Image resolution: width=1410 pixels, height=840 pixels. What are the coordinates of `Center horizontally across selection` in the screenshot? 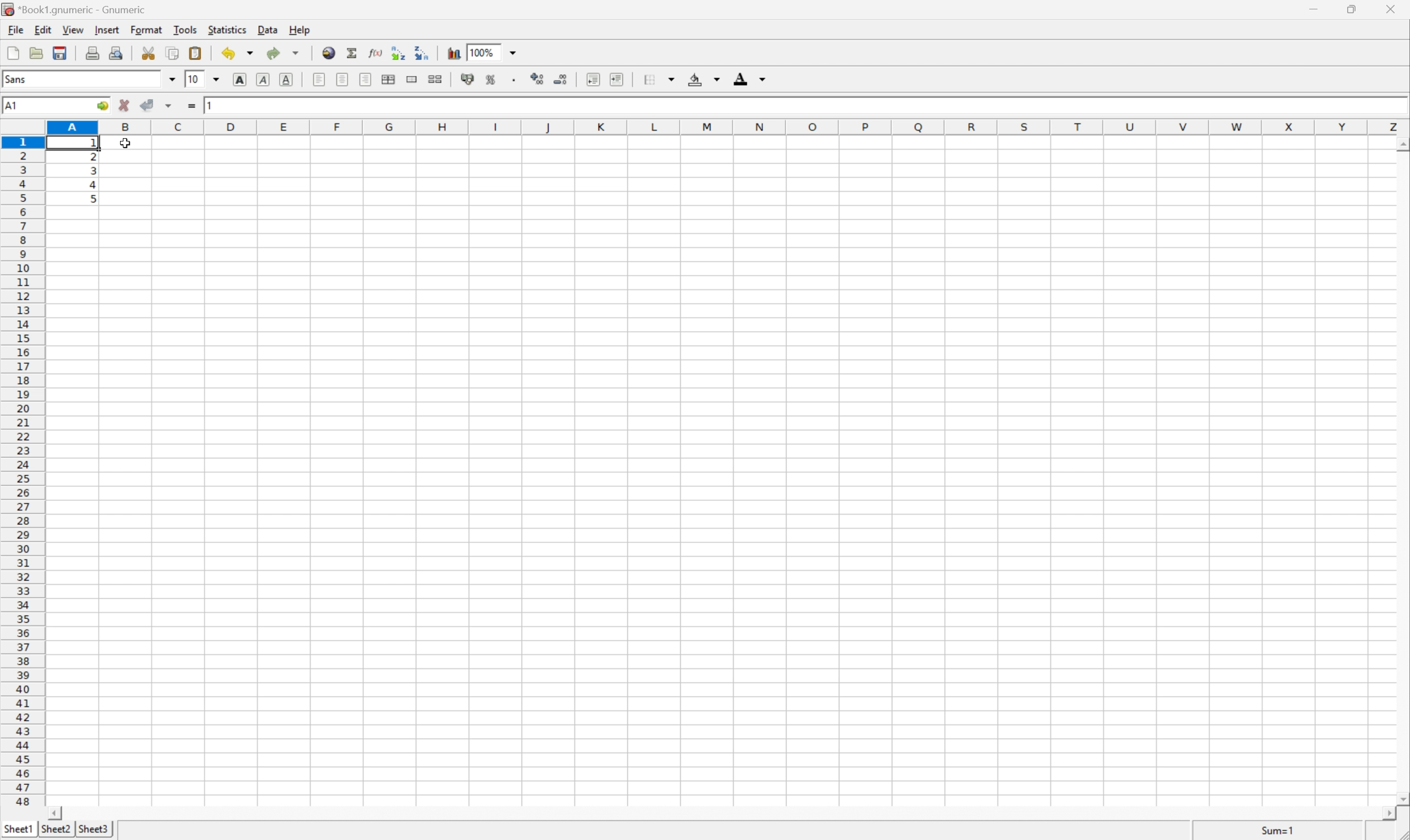 It's located at (391, 79).